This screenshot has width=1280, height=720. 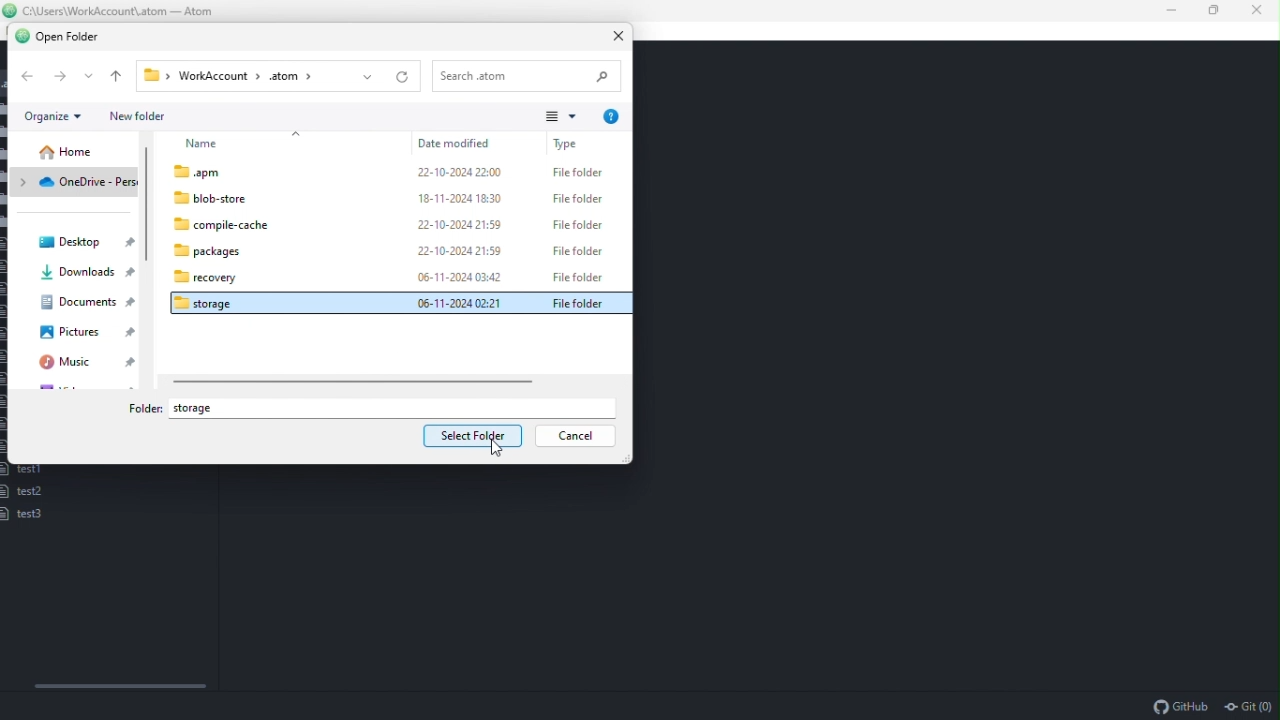 What do you see at coordinates (54, 116) in the screenshot?
I see `Organise` at bounding box center [54, 116].